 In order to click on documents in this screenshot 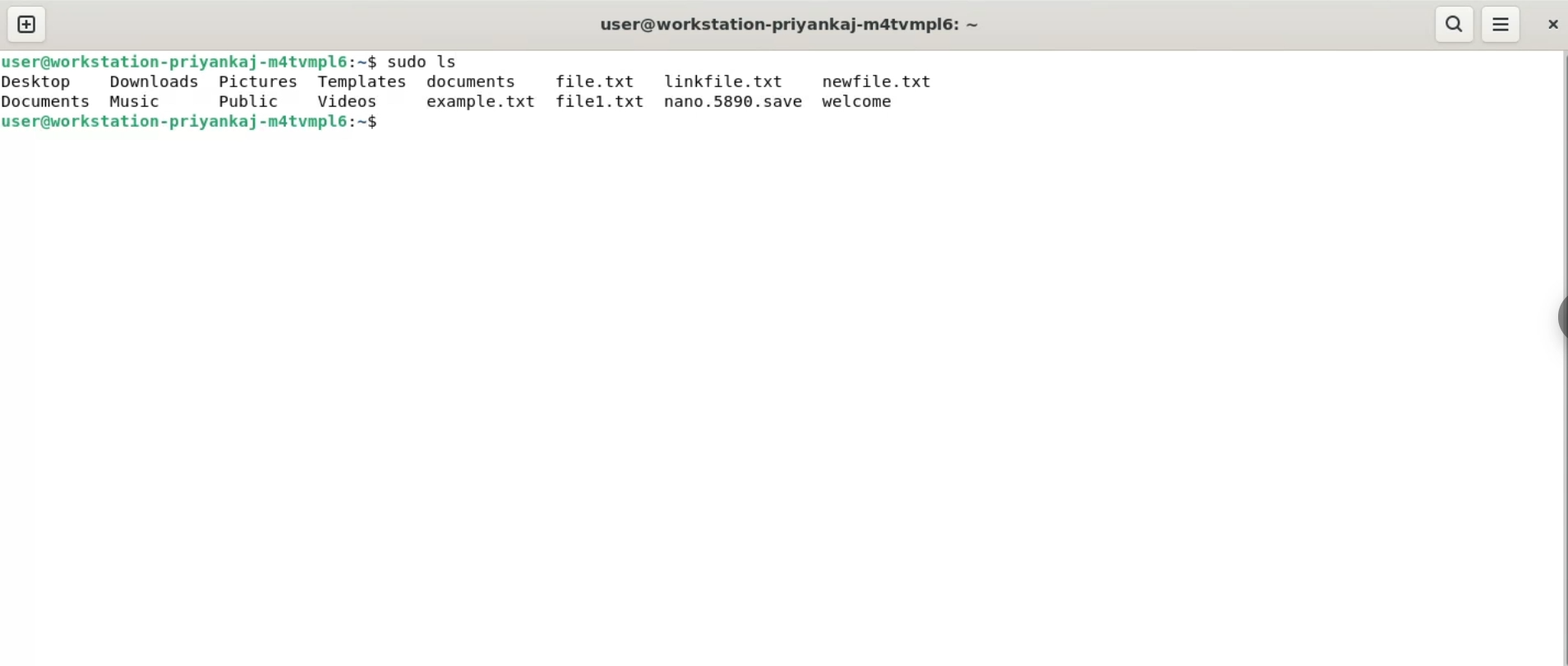, I will do `click(473, 82)`.